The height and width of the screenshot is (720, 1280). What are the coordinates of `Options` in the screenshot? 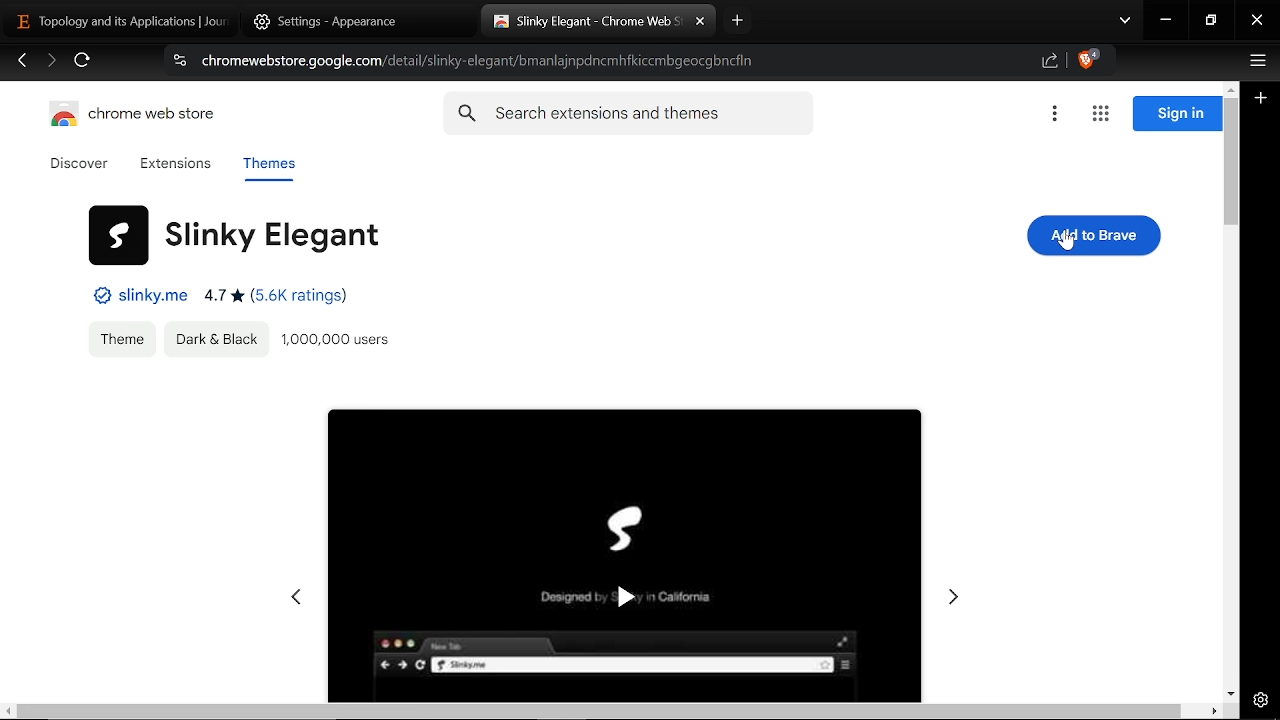 It's located at (1054, 115).